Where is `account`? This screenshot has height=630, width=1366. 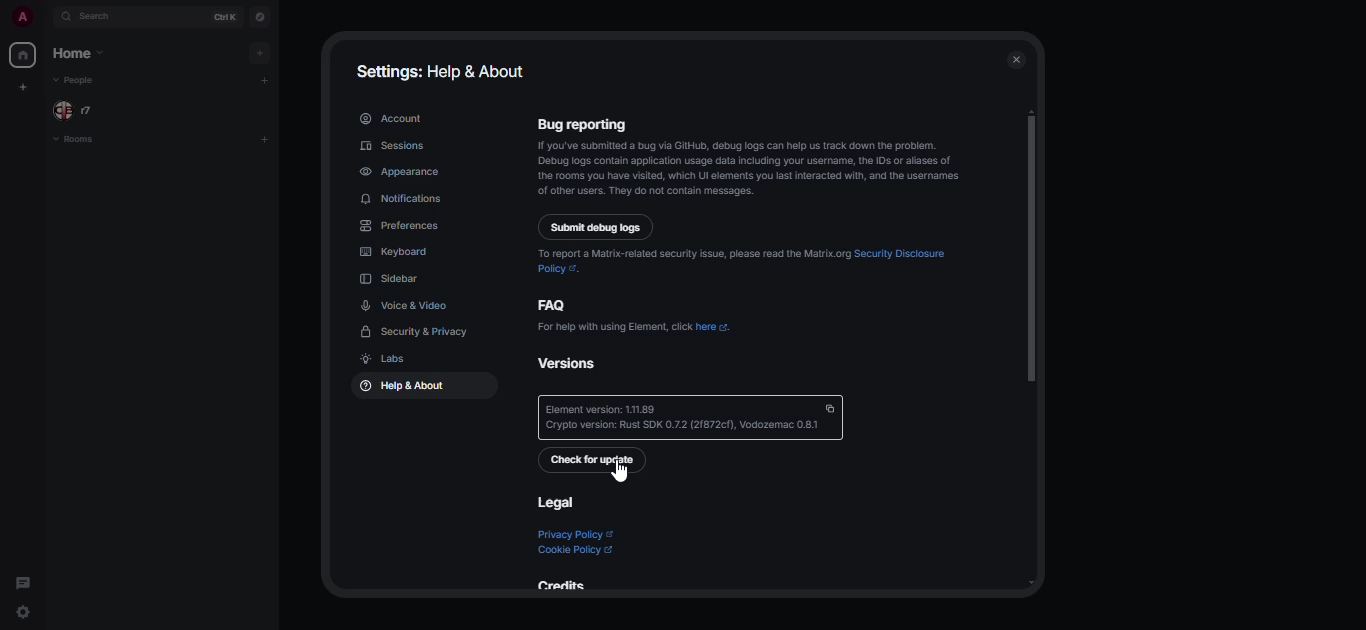
account is located at coordinates (391, 118).